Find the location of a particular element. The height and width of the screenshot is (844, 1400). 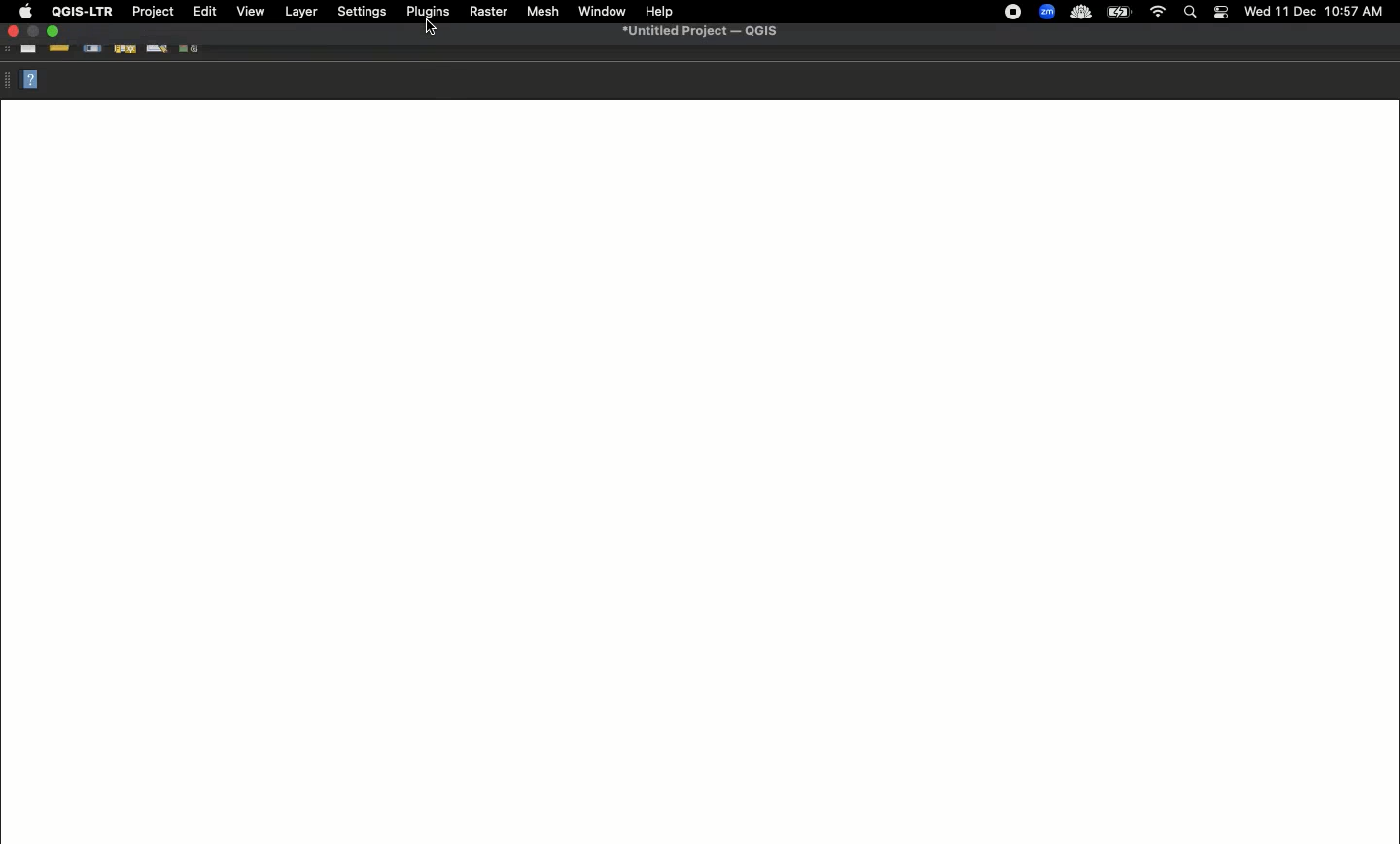

Extension is located at coordinates (1083, 14).